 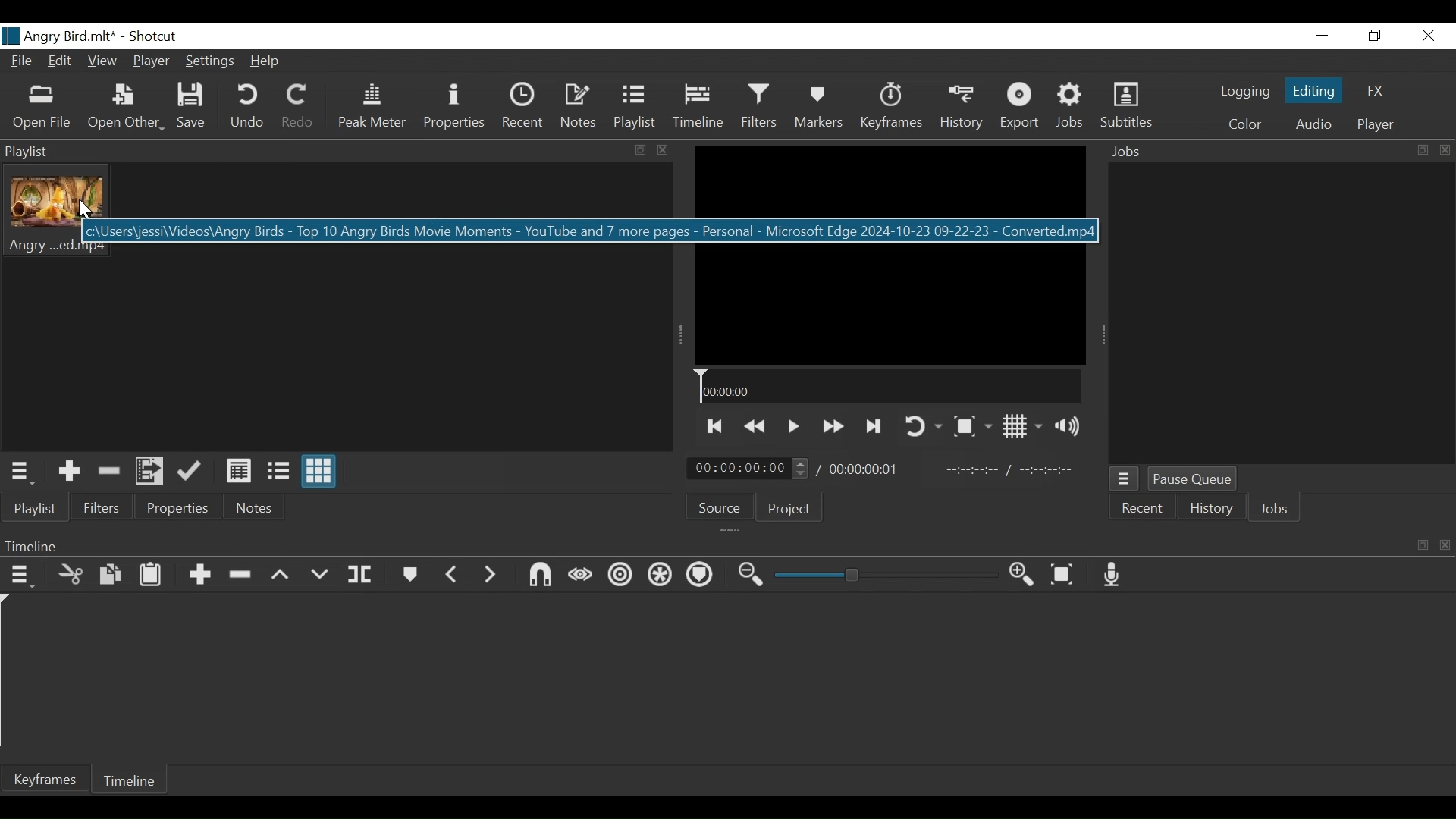 I want to click on Record audio, so click(x=1111, y=574).